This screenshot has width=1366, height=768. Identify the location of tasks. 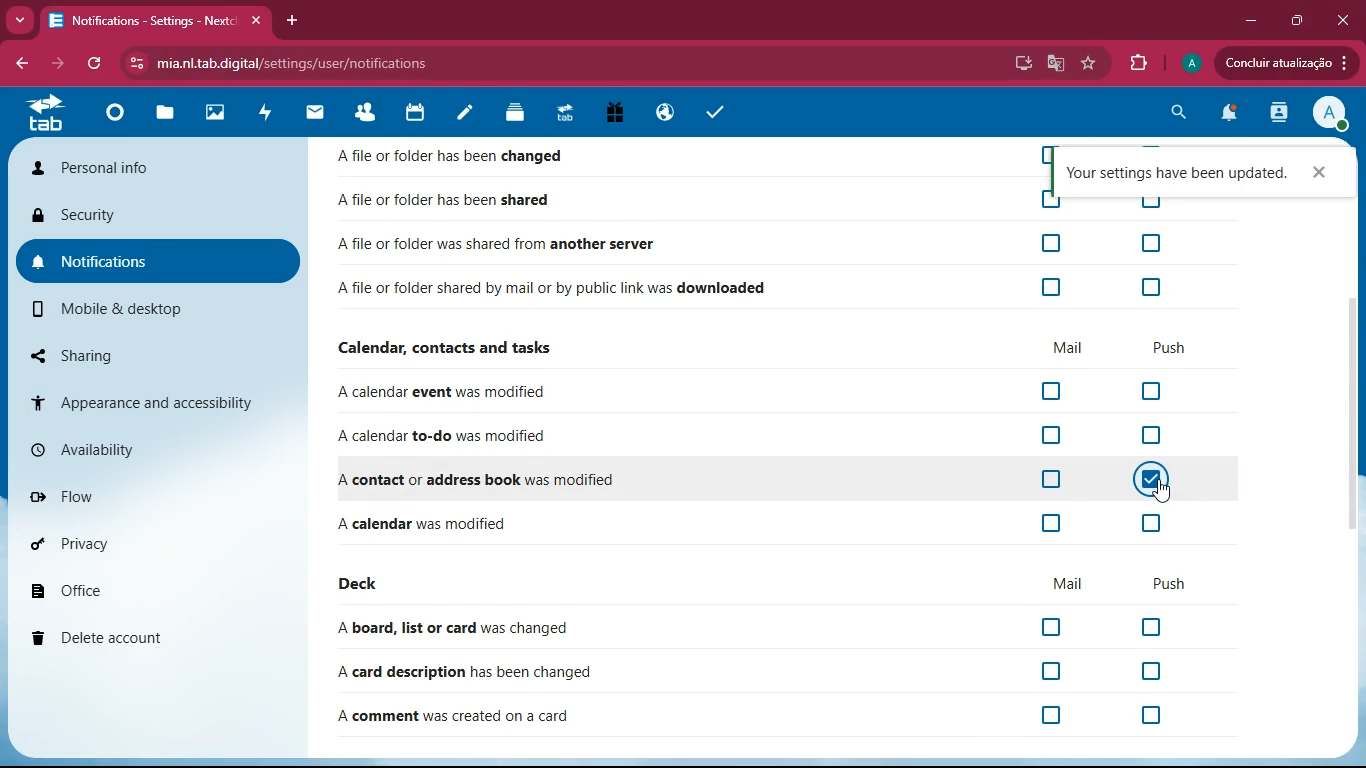
(718, 114).